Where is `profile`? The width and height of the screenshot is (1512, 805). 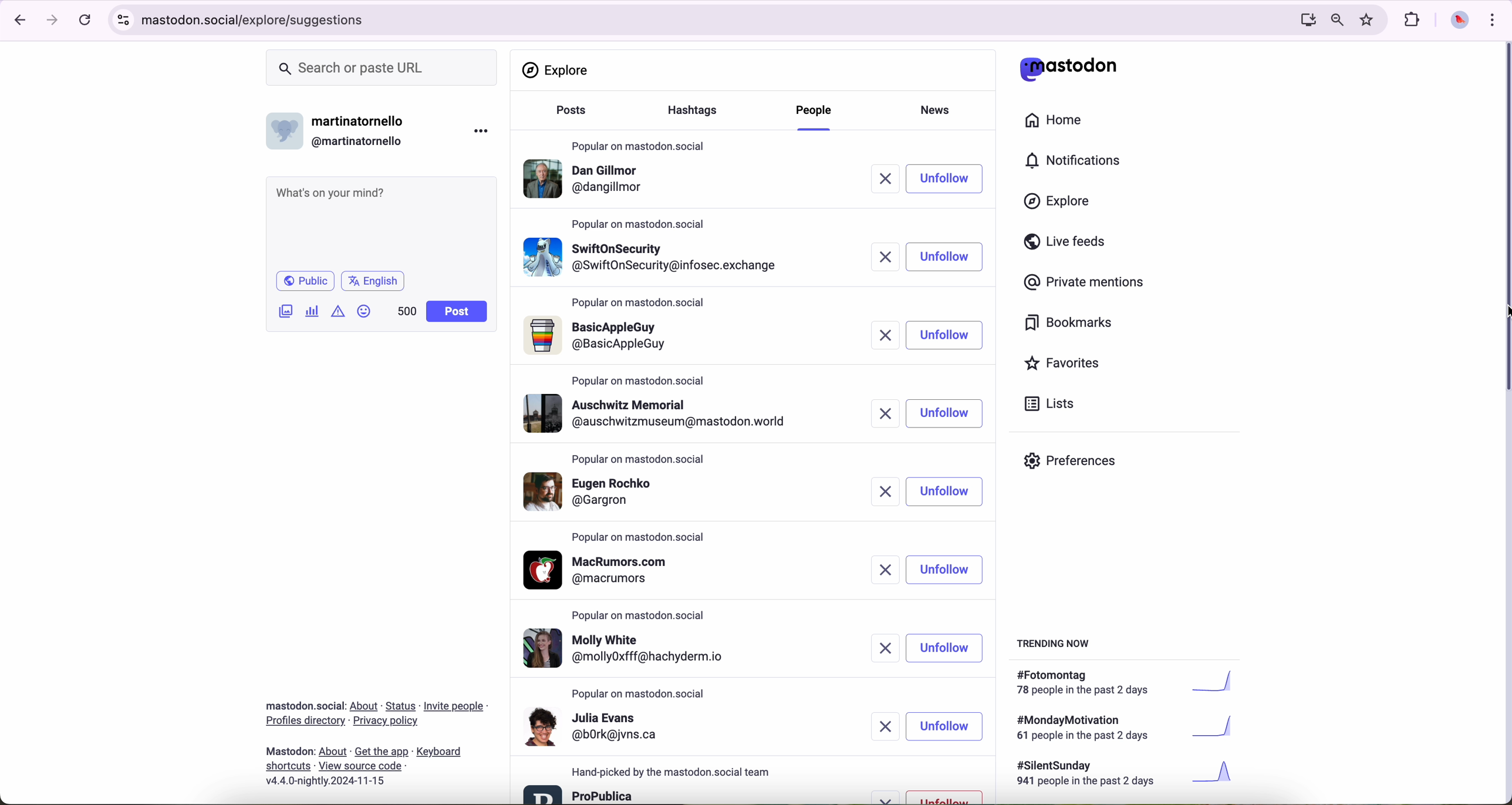
profile is located at coordinates (635, 649).